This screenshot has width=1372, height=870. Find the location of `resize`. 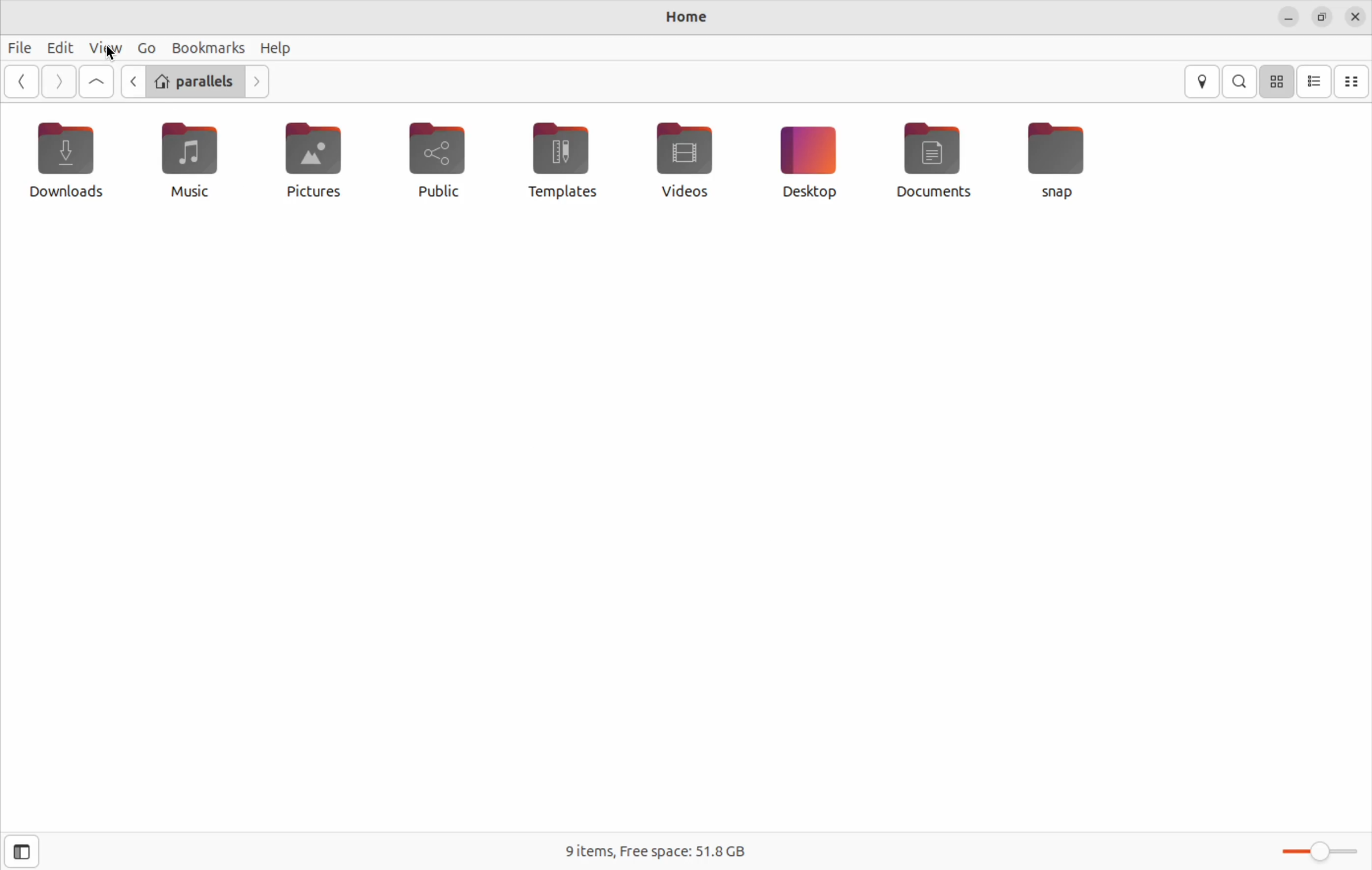

resize is located at coordinates (1321, 15).